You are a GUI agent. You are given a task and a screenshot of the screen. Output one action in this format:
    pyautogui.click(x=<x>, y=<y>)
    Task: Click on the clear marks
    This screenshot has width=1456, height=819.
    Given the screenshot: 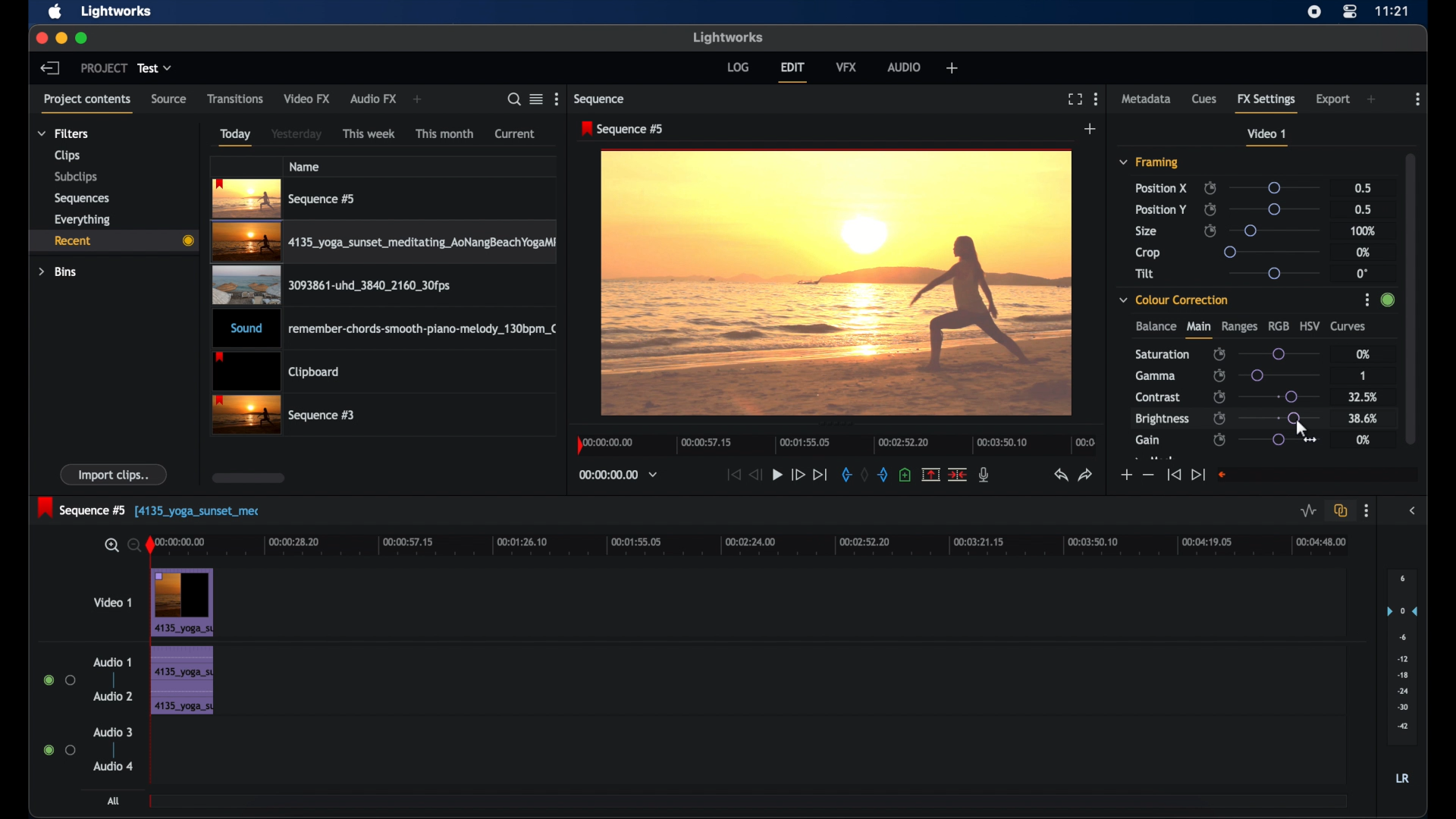 What is the action you would take?
    pyautogui.click(x=864, y=475)
    